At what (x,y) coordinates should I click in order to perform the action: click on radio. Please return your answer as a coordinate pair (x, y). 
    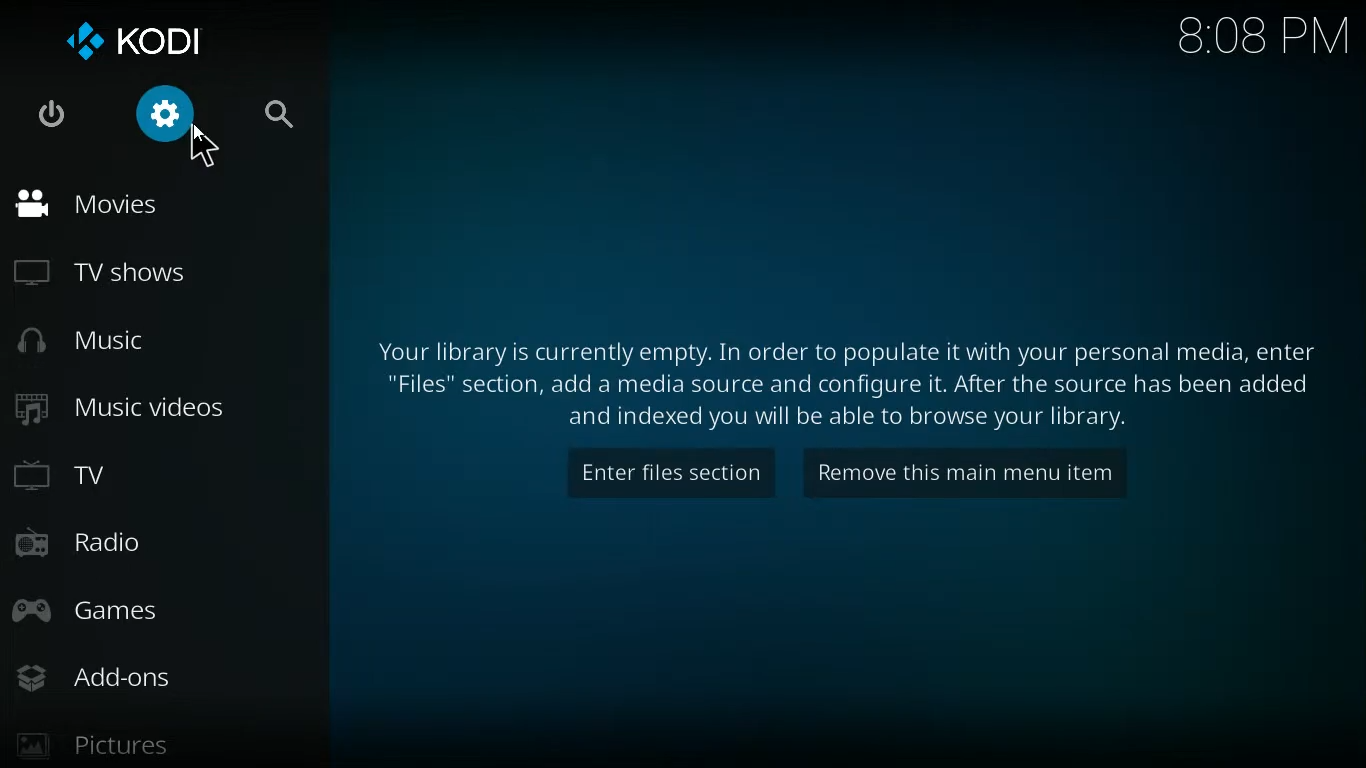
    Looking at the image, I should click on (96, 538).